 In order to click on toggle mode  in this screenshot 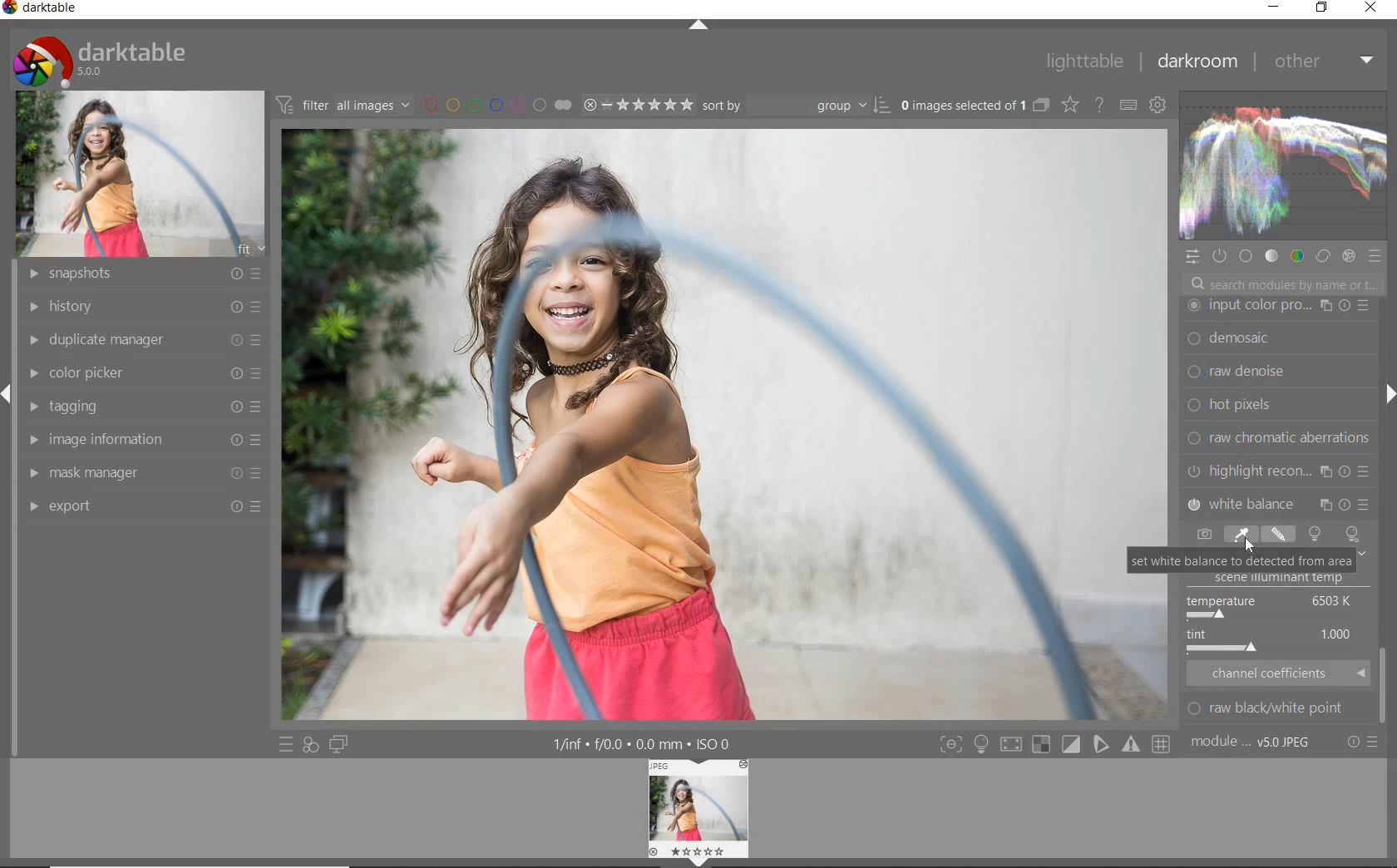, I will do `click(1014, 743)`.